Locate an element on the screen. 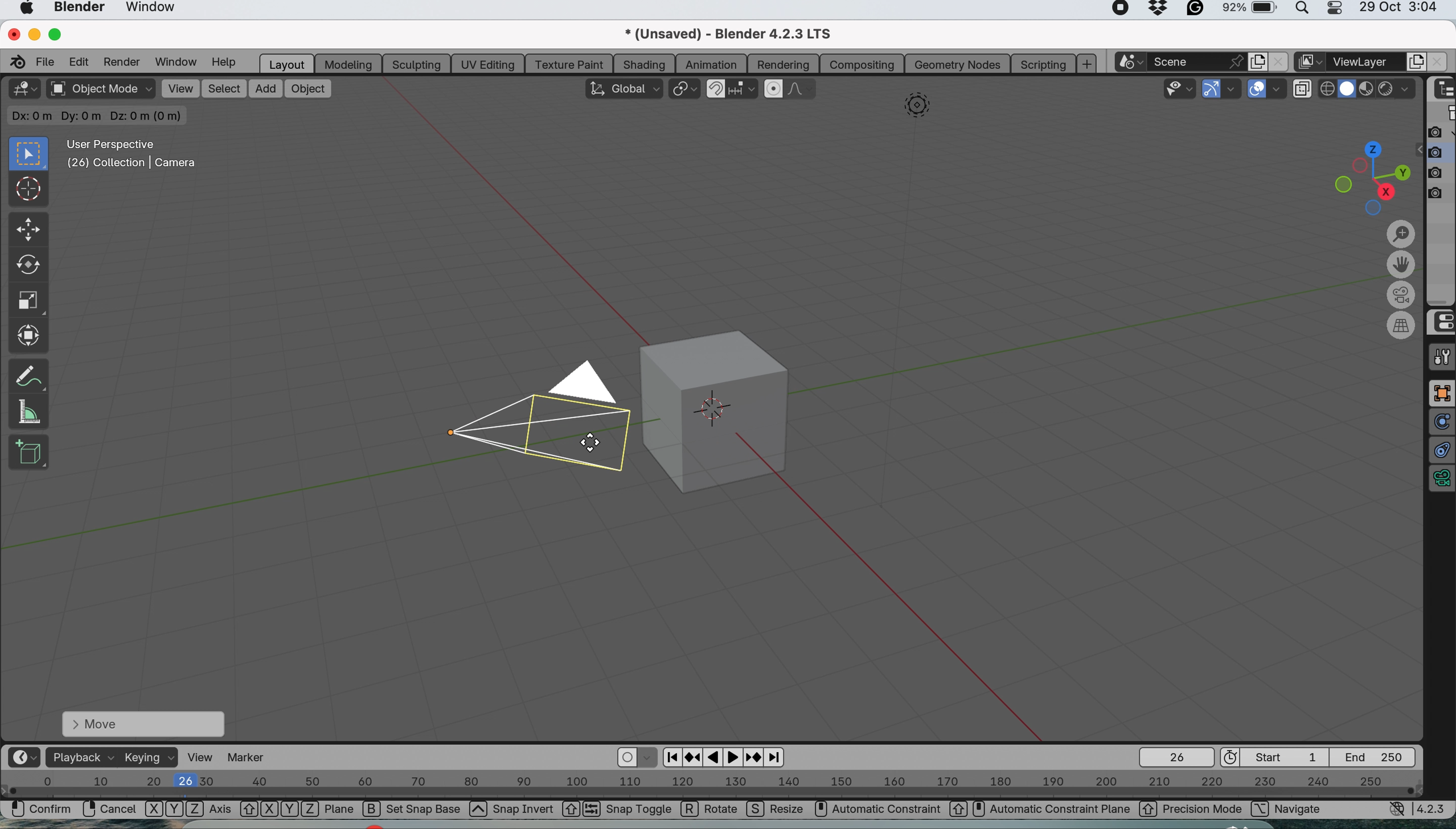  Automatic constraint is located at coordinates (888, 809).